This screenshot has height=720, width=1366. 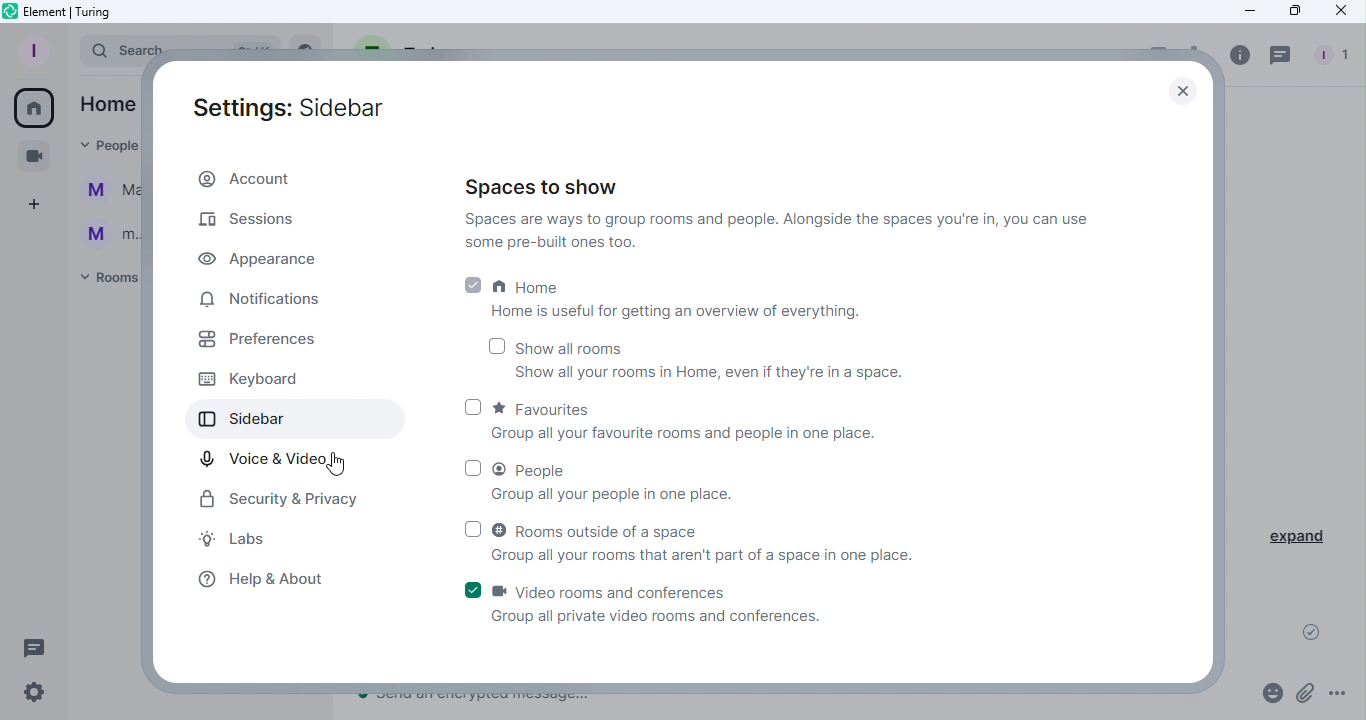 I want to click on Emoji, so click(x=1268, y=696).